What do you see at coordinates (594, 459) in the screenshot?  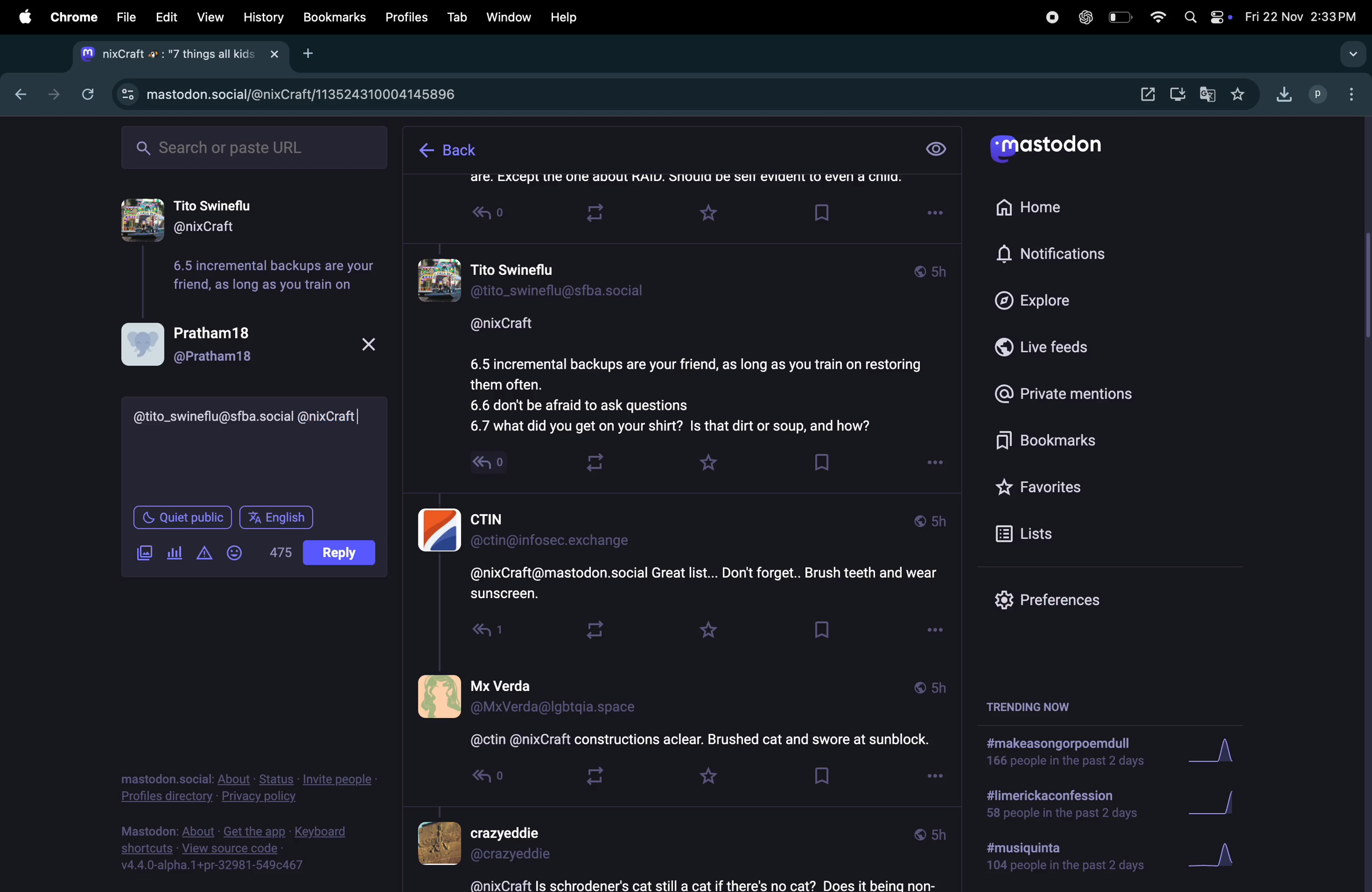 I see `loop` at bounding box center [594, 459].